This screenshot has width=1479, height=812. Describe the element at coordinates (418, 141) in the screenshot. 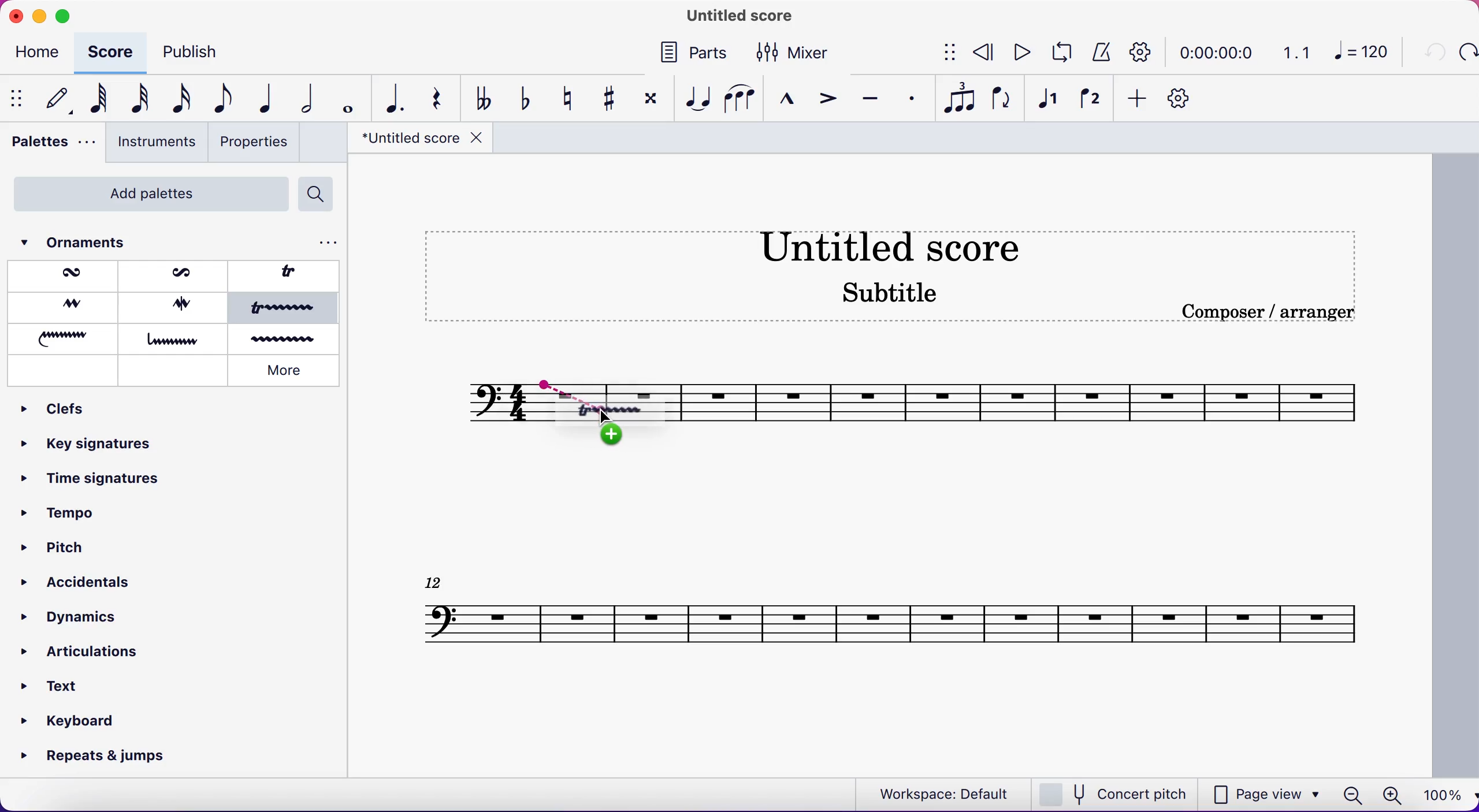

I see `title` at that location.